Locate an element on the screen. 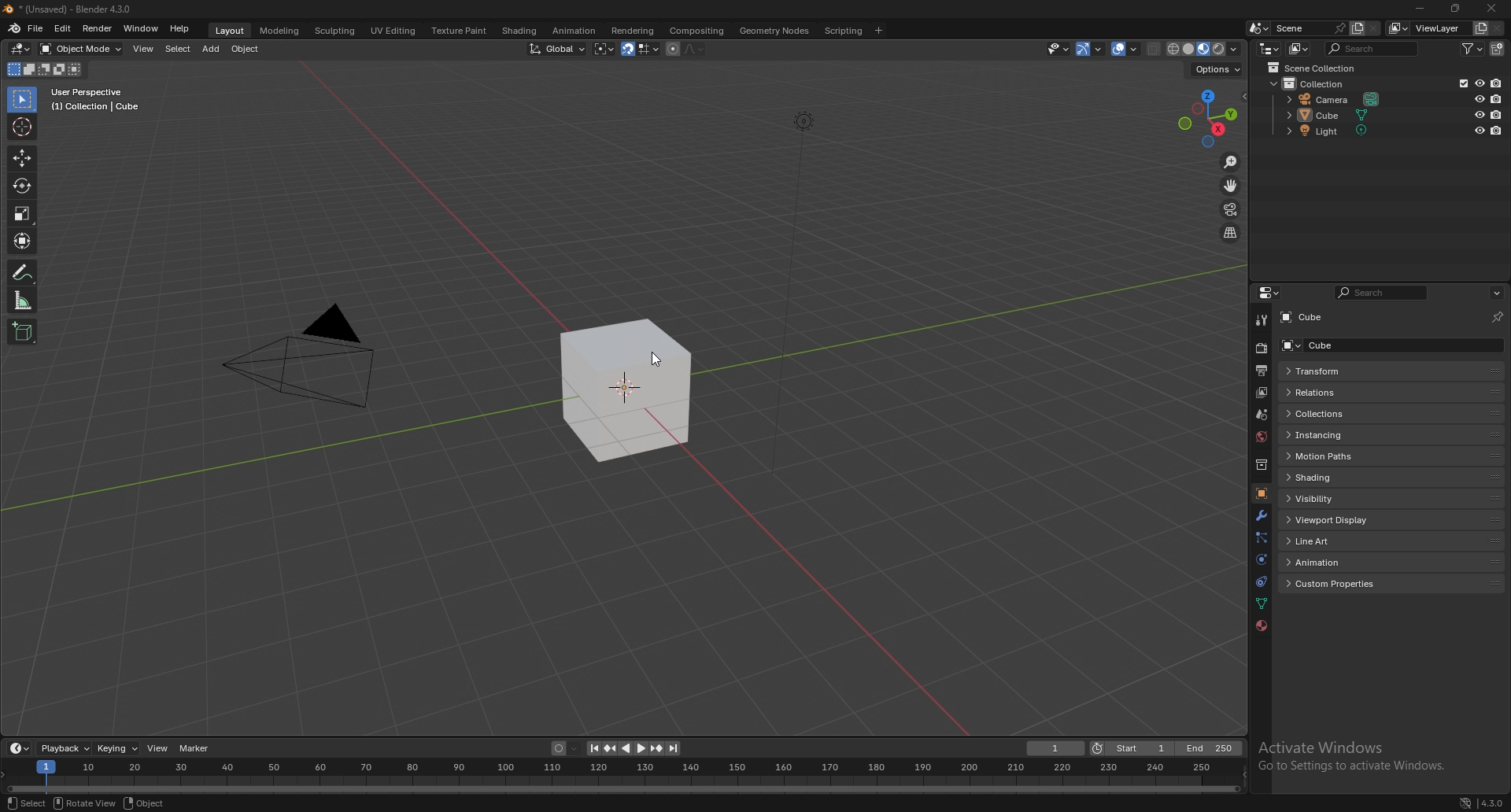  options is located at coordinates (1215, 69).